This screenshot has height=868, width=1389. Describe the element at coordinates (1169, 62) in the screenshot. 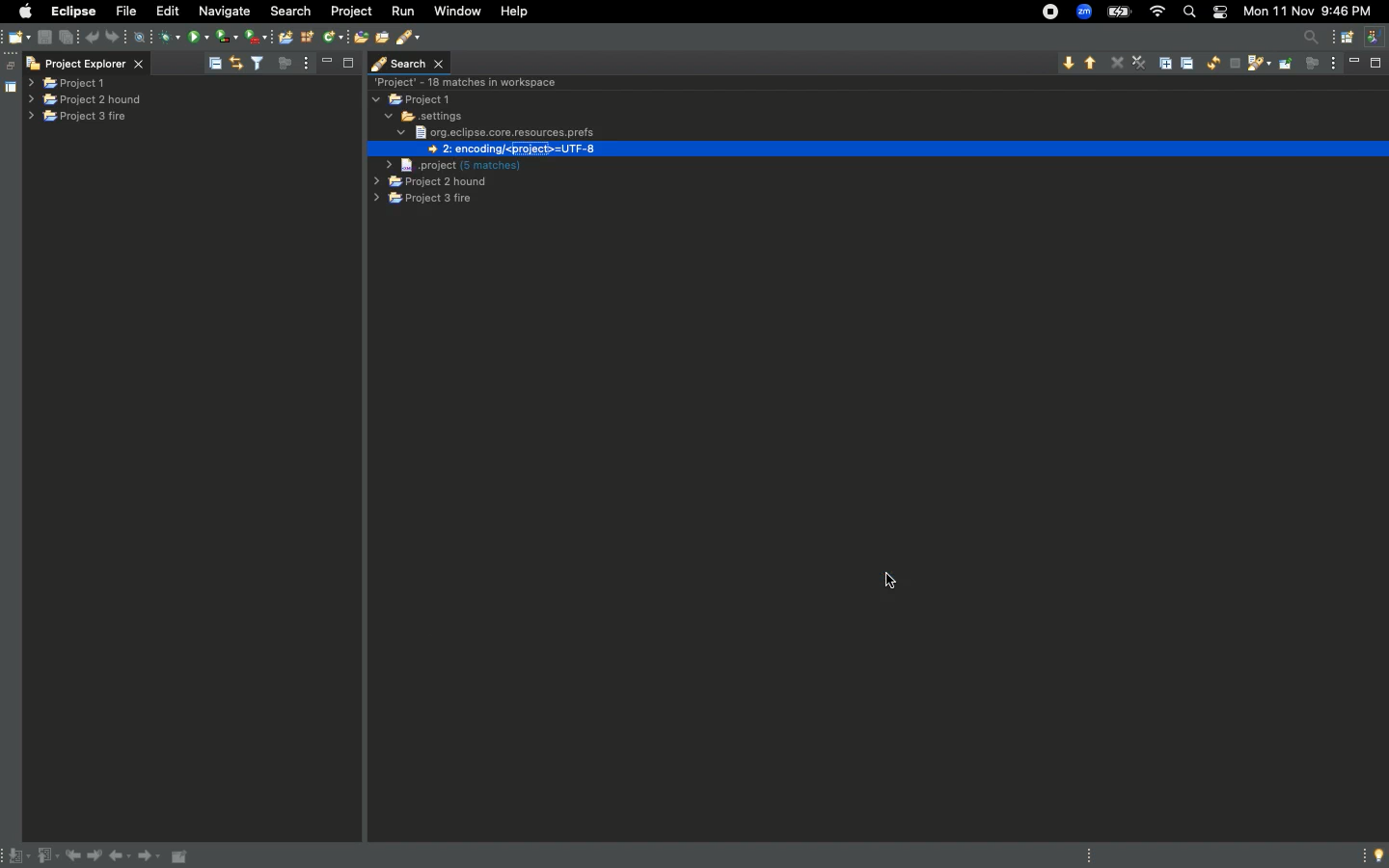

I see `Expand all` at that location.